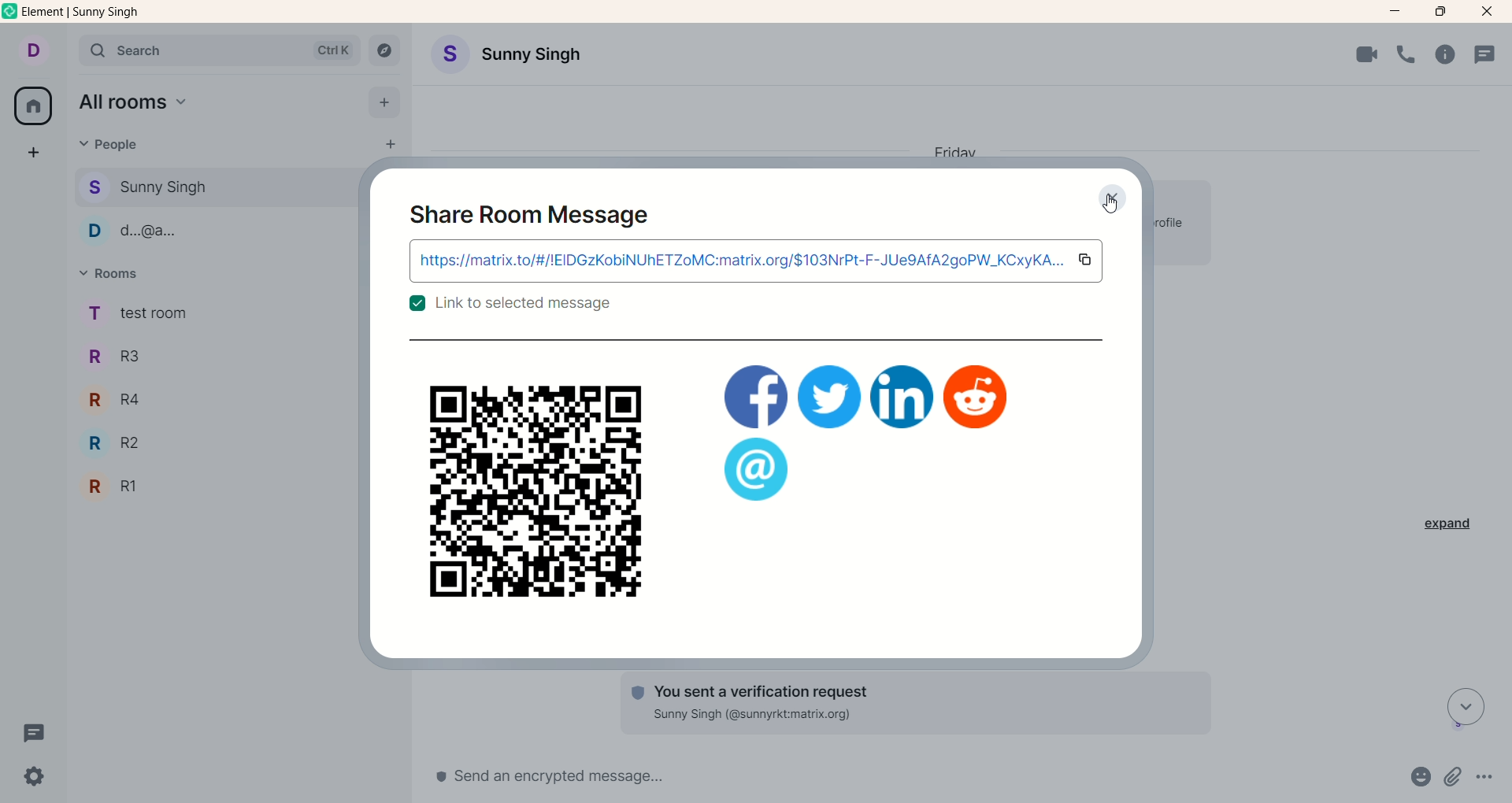  Describe the element at coordinates (385, 52) in the screenshot. I see `explore rooms` at that location.